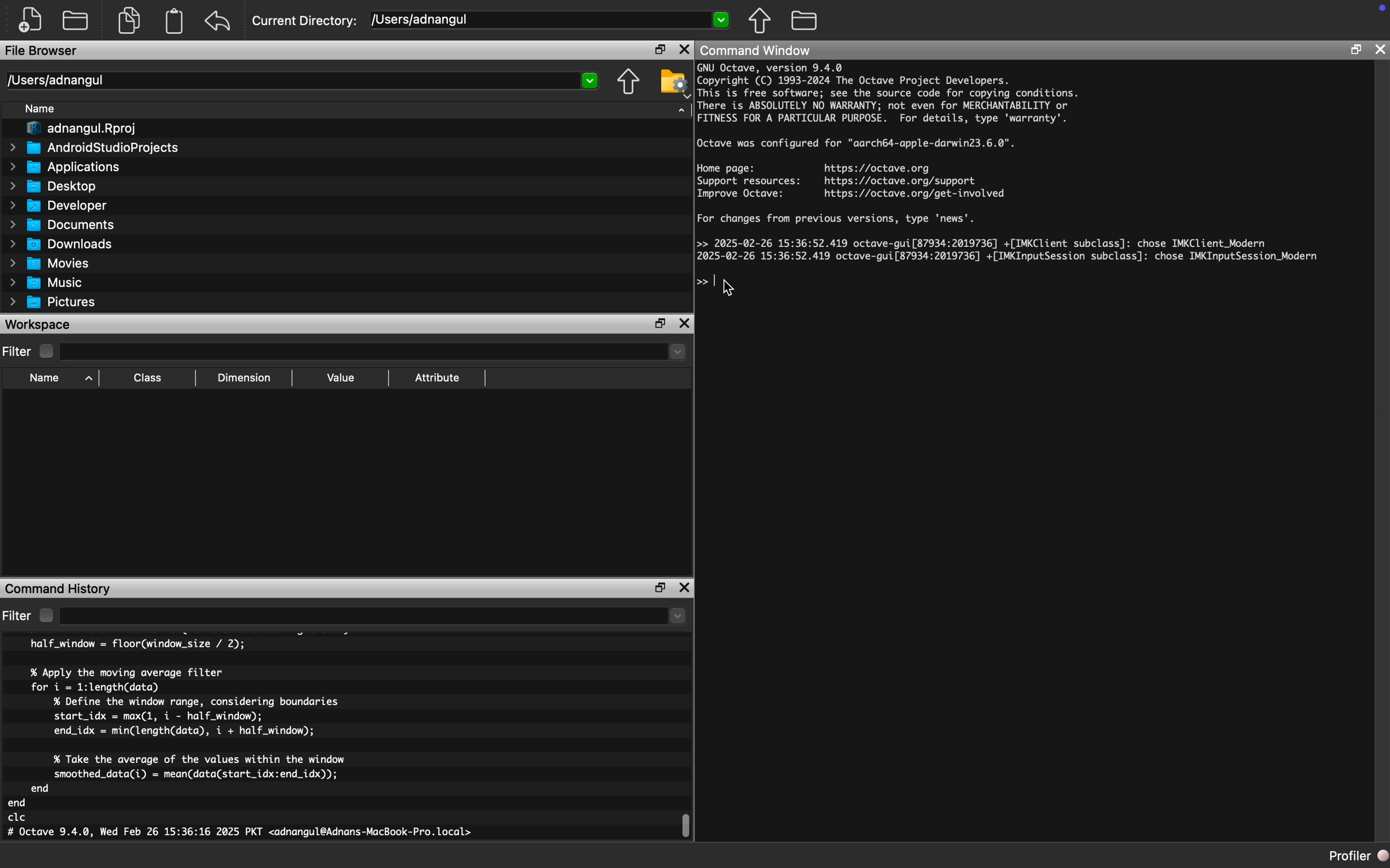  What do you see at coordinates (684, 588) in the screenshot?
I see `Close` at bounding box center [684, 588].